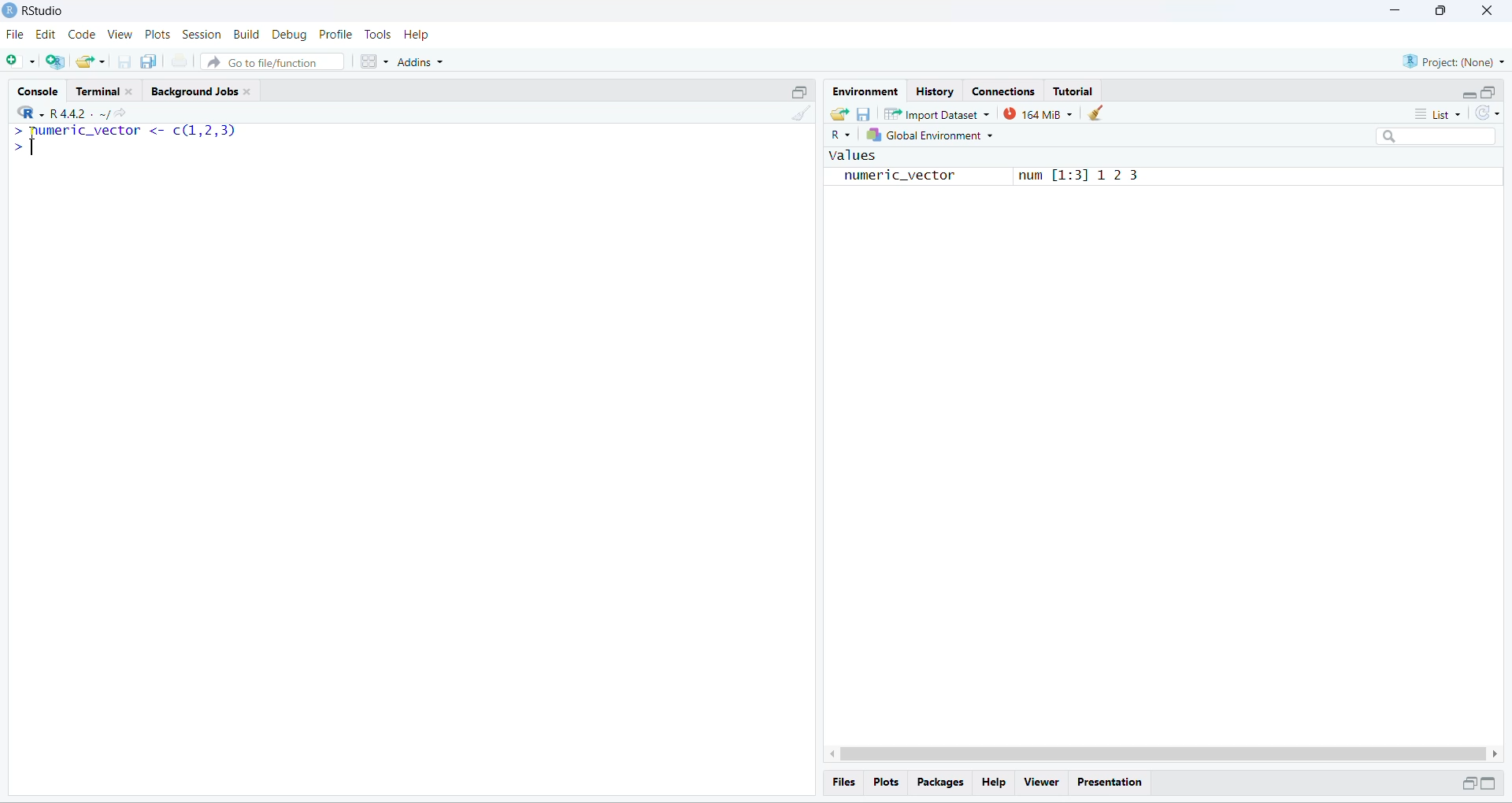 This screenshot has height=803, width=1512. What do you see at coordinates (37, 89) in the screenshot?
I see `Console` at bounding box center [37, 89].